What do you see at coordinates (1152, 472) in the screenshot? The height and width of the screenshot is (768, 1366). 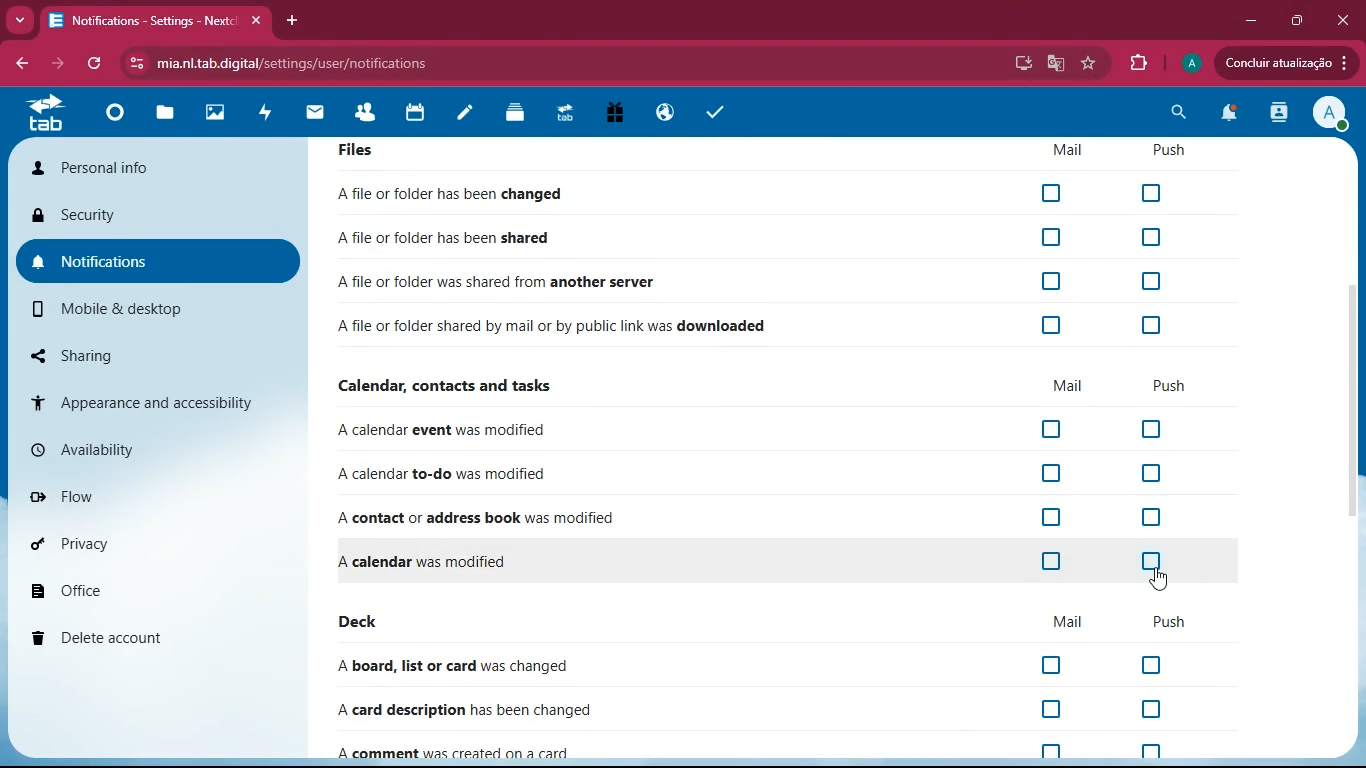 I see `off` at bounding box center [1152, 472].